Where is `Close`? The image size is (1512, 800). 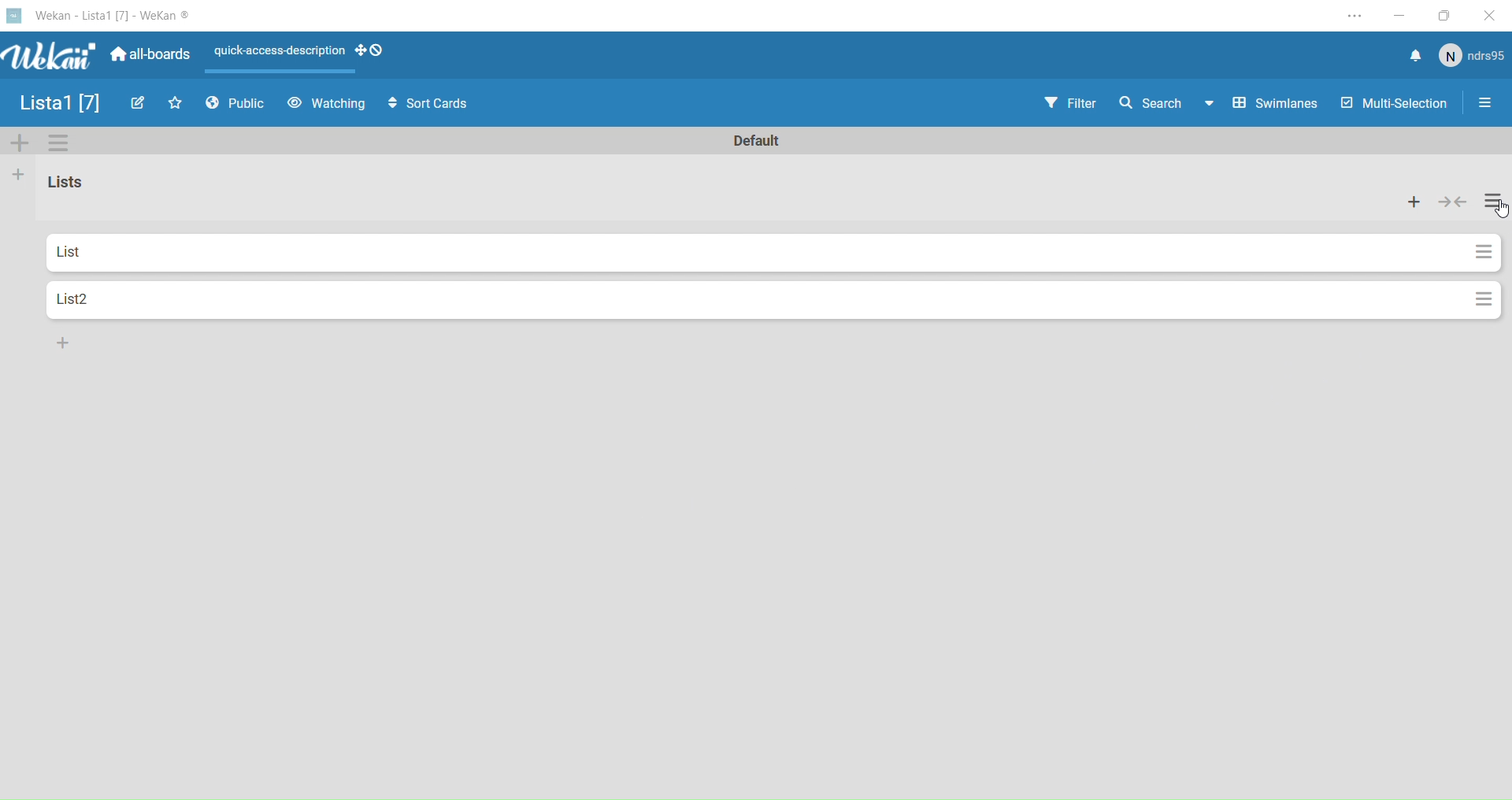
Close is located at coordinates (1492, 15).